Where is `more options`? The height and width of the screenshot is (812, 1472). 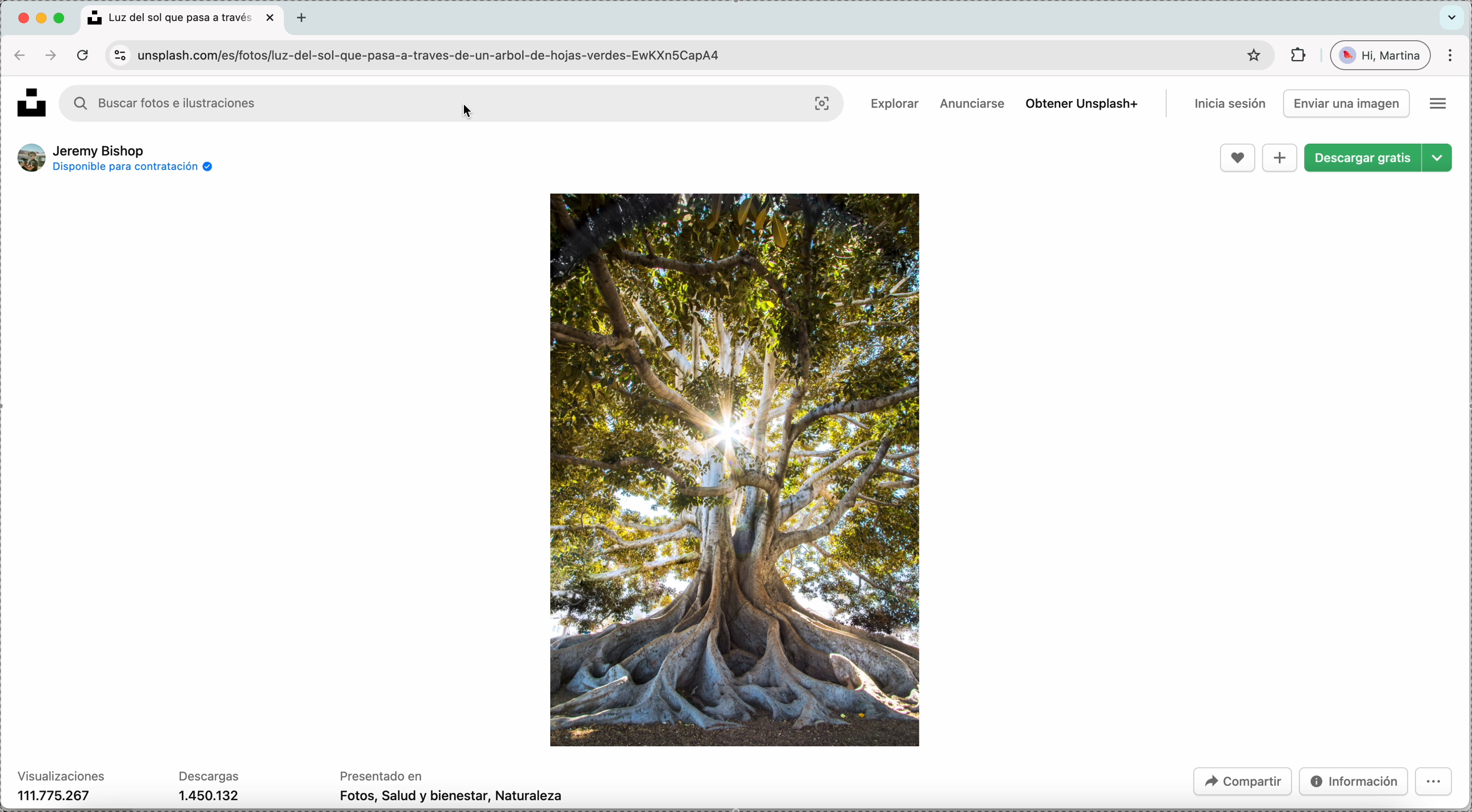 more options is located at coordinates (1439, 104).